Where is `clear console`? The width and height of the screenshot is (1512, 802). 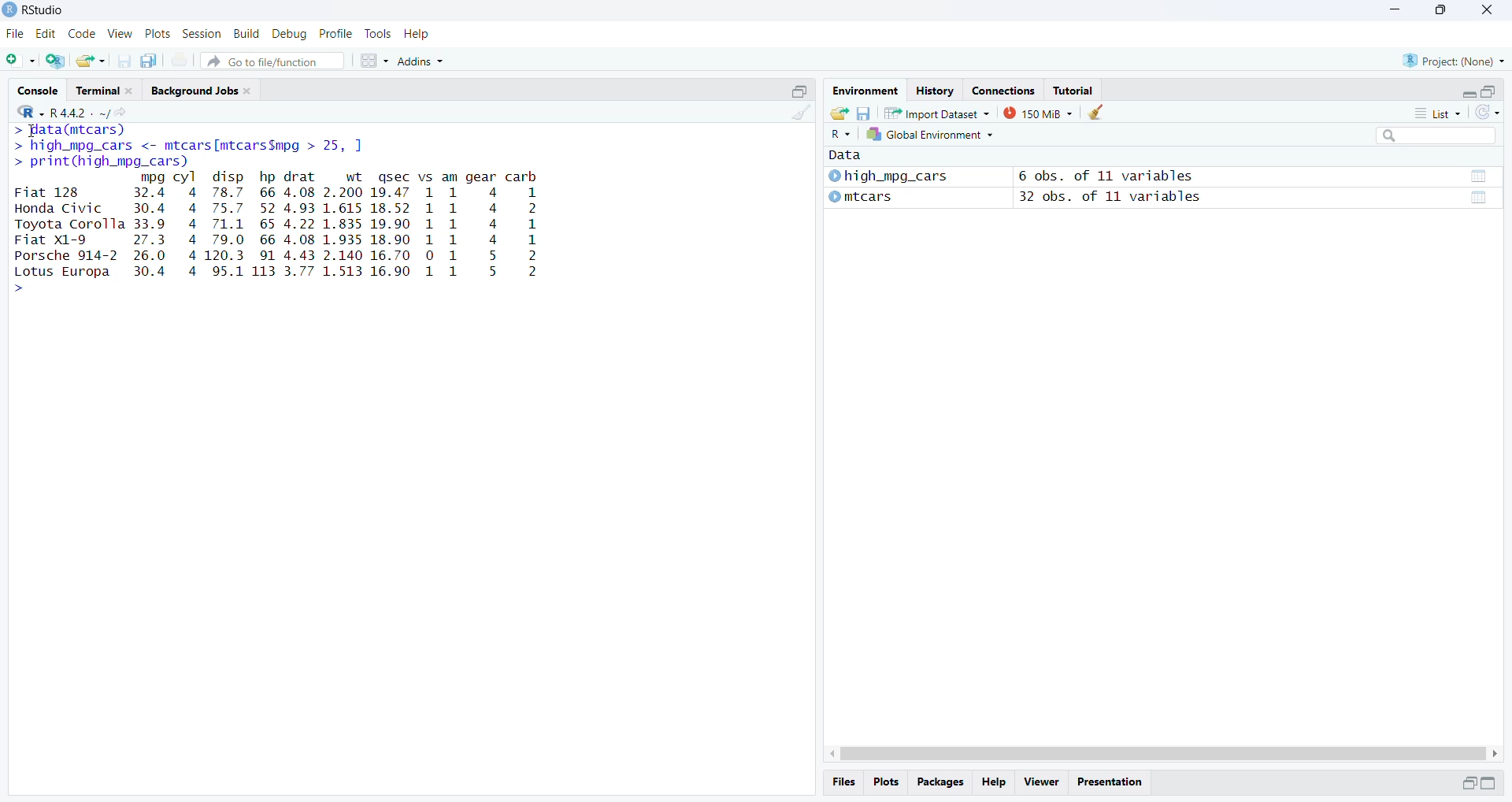
clear console is located at coordinates (799, 112).